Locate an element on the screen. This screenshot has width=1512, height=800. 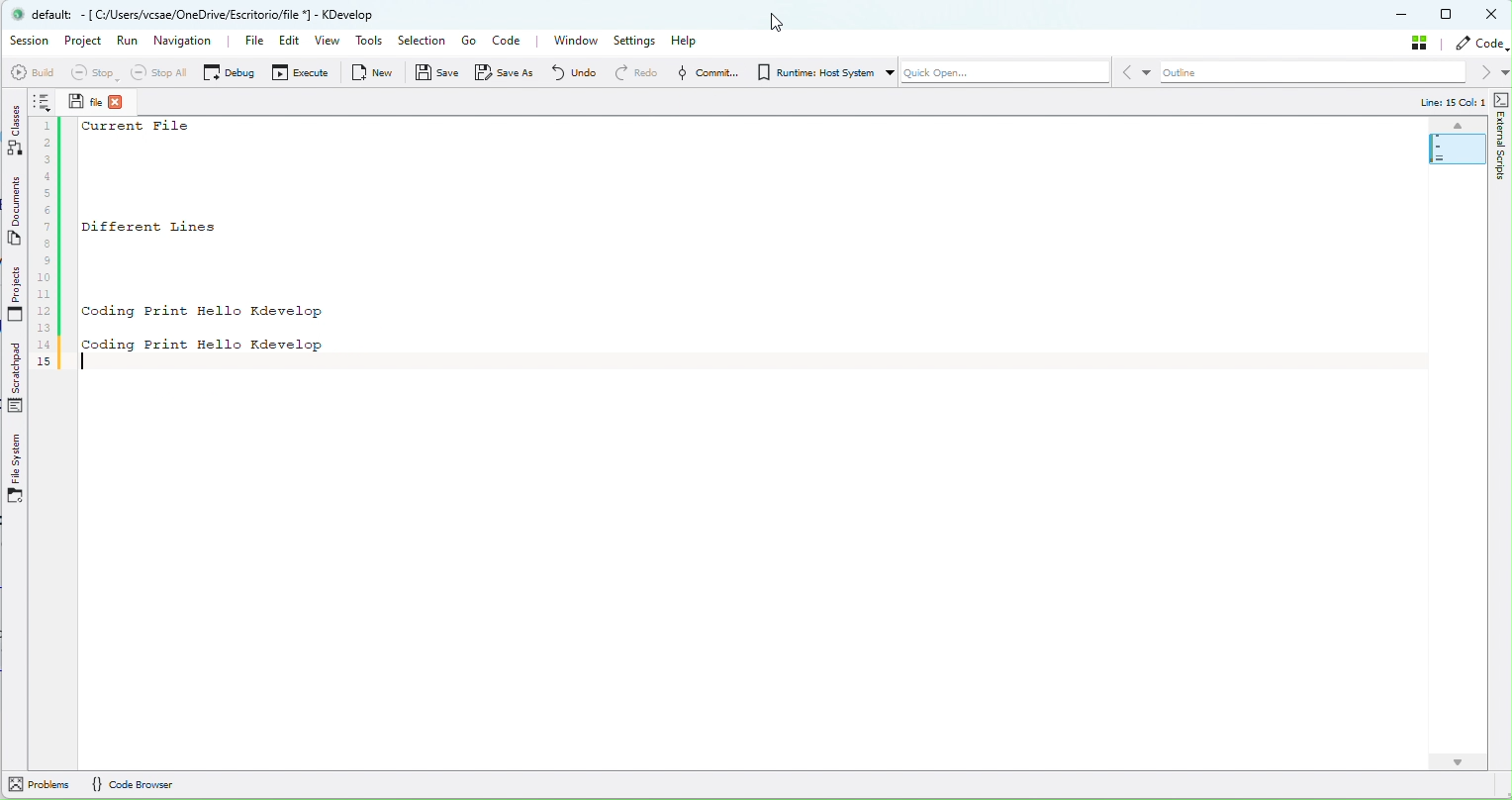
Settings is located at coordinates (637, 41).